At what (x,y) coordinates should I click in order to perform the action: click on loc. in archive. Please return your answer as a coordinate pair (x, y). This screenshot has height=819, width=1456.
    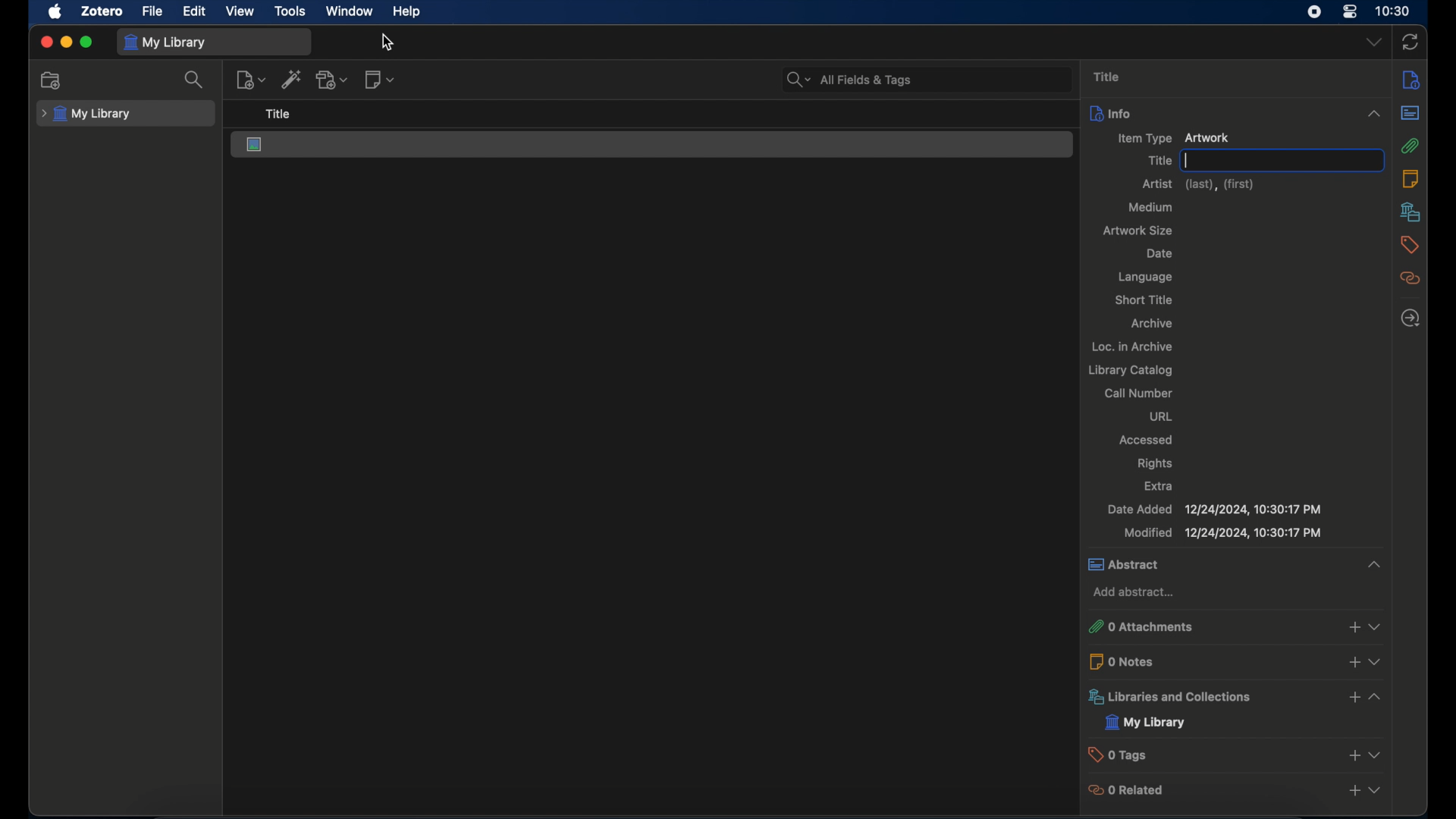
    Looking at the image, I should click on (1130, 347).